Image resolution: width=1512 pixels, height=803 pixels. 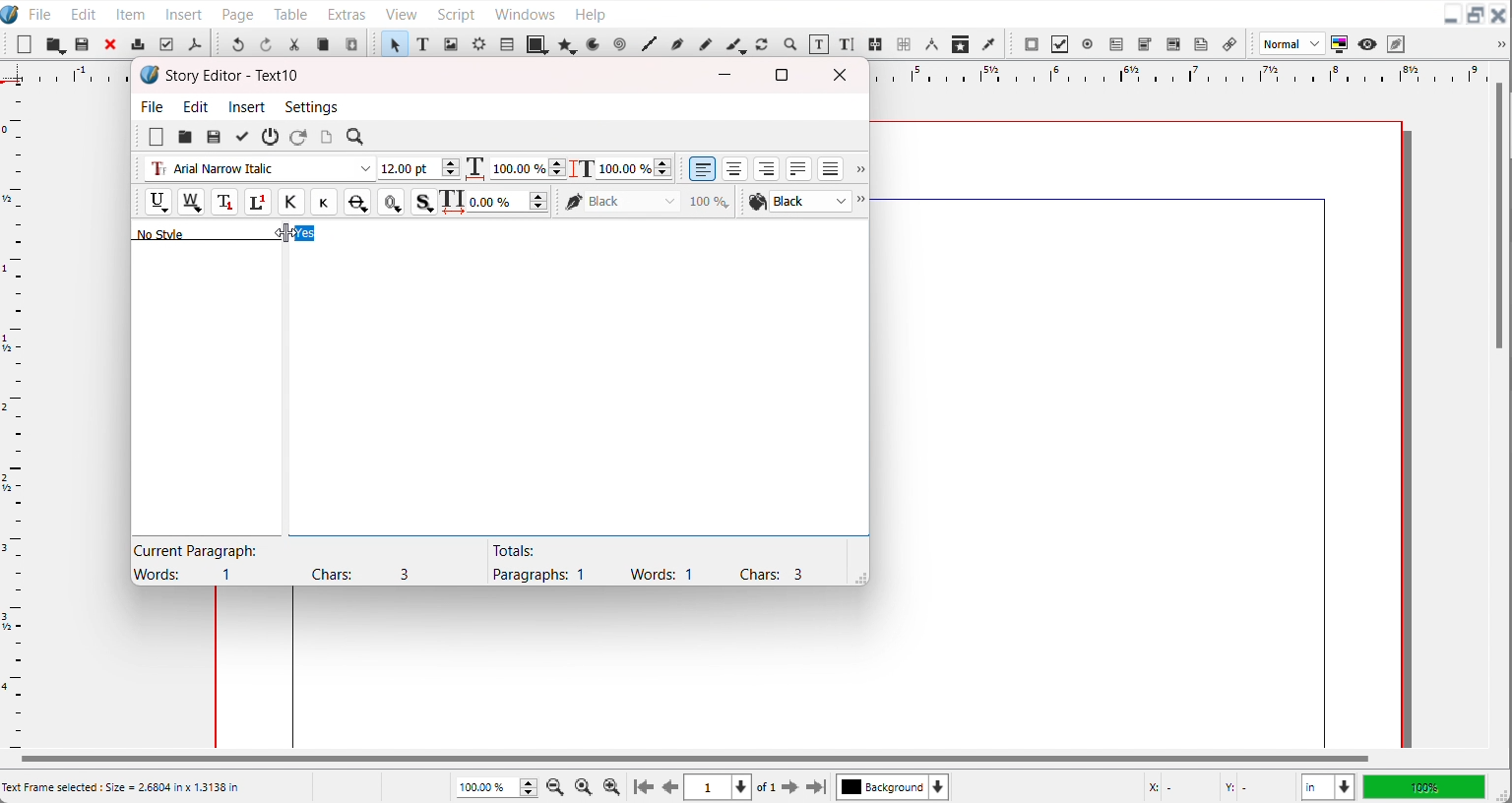 I want to click on Zoom Out, so click(x=557, y=785).